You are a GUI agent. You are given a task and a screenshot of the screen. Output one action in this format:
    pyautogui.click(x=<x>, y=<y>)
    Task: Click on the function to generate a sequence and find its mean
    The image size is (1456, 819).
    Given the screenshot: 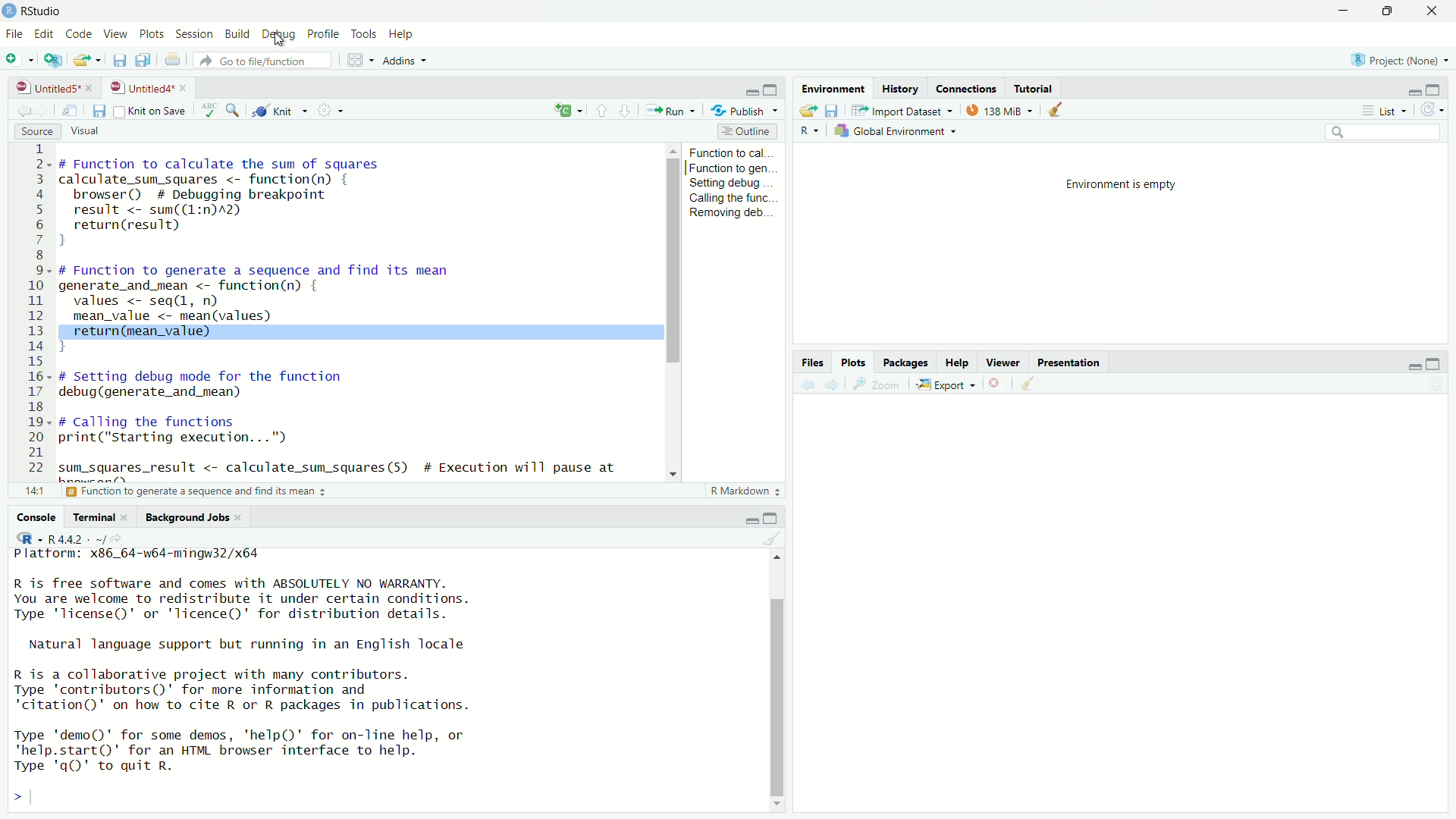 What is the action you would take?
    pyautogui.click(x=202, y=492)
    